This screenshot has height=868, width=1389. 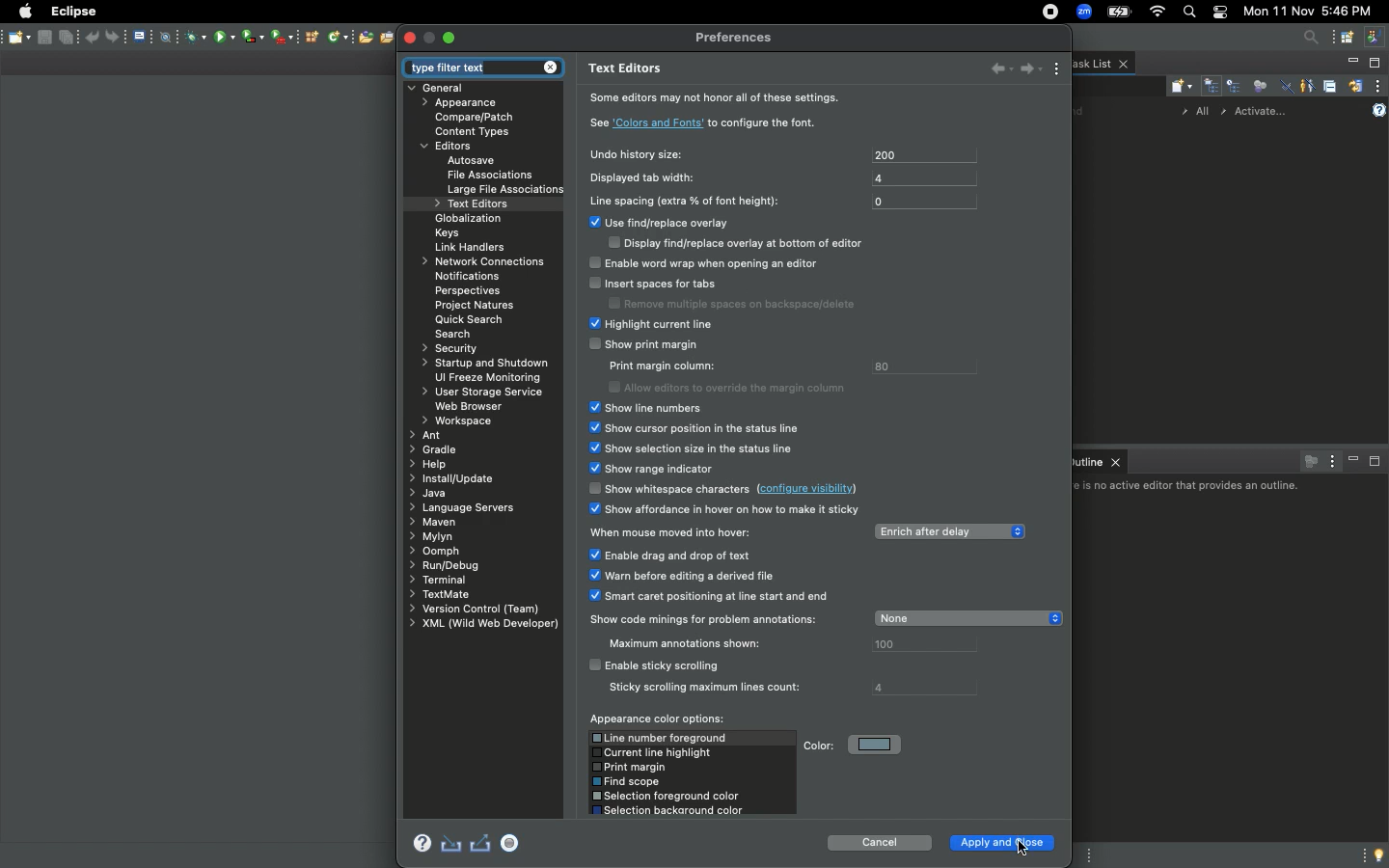 I want to click on Open file, so click(x=388, y=38).